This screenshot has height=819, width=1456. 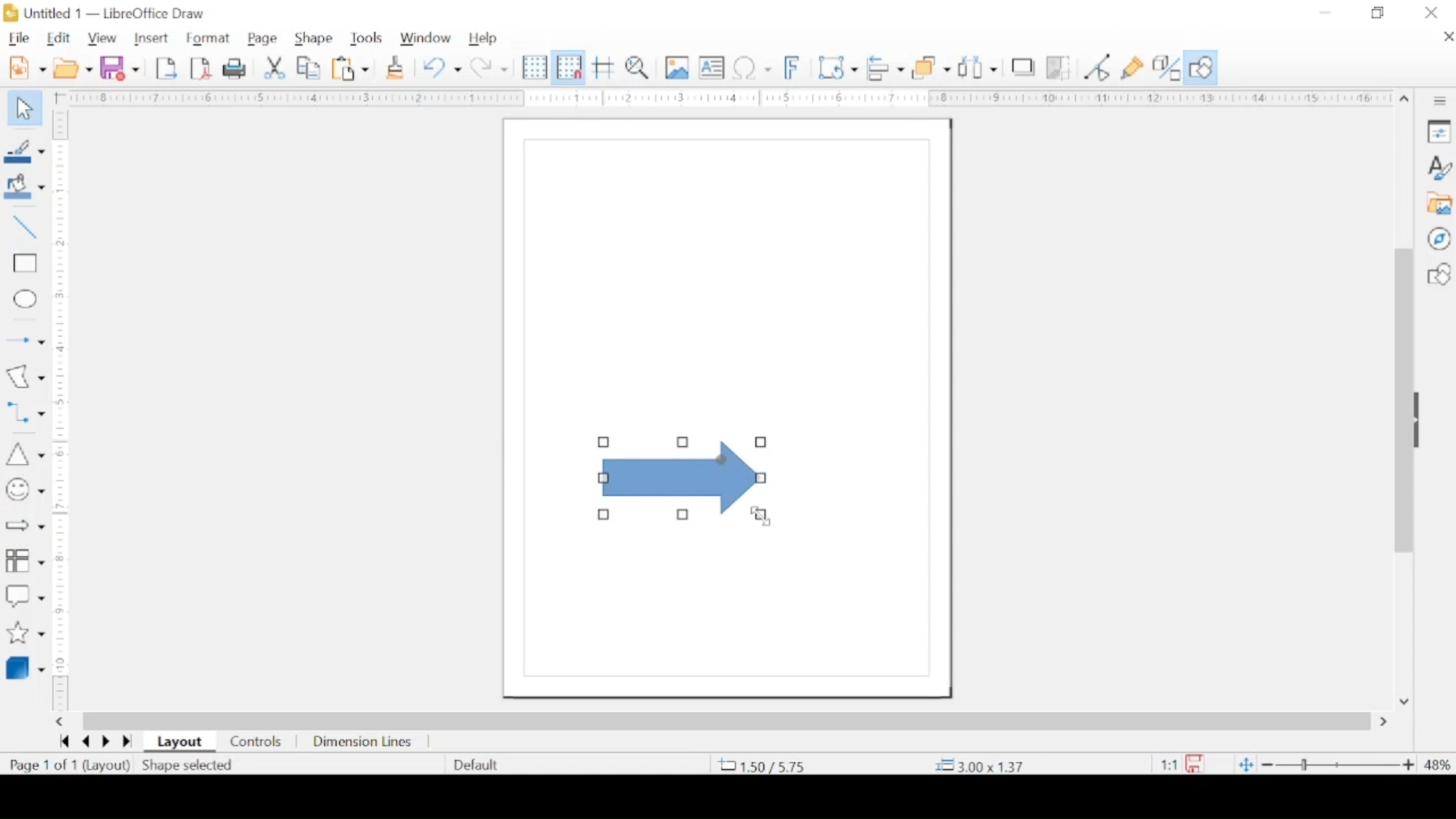 What do you see at coordinates (275, 67) in the screenshot?
I see `cut` at bounding box center [275, 67].